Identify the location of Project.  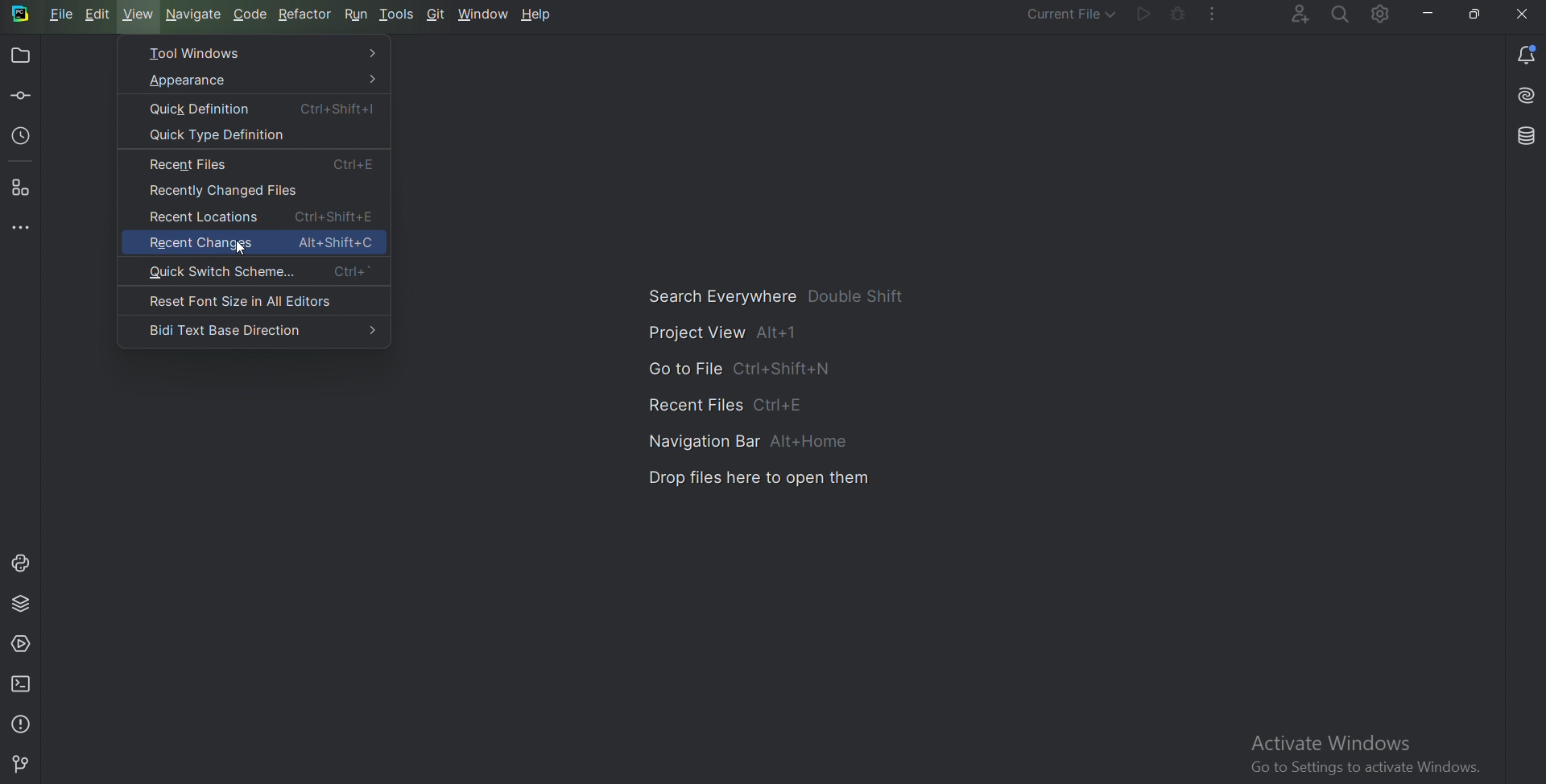
(22, 56).